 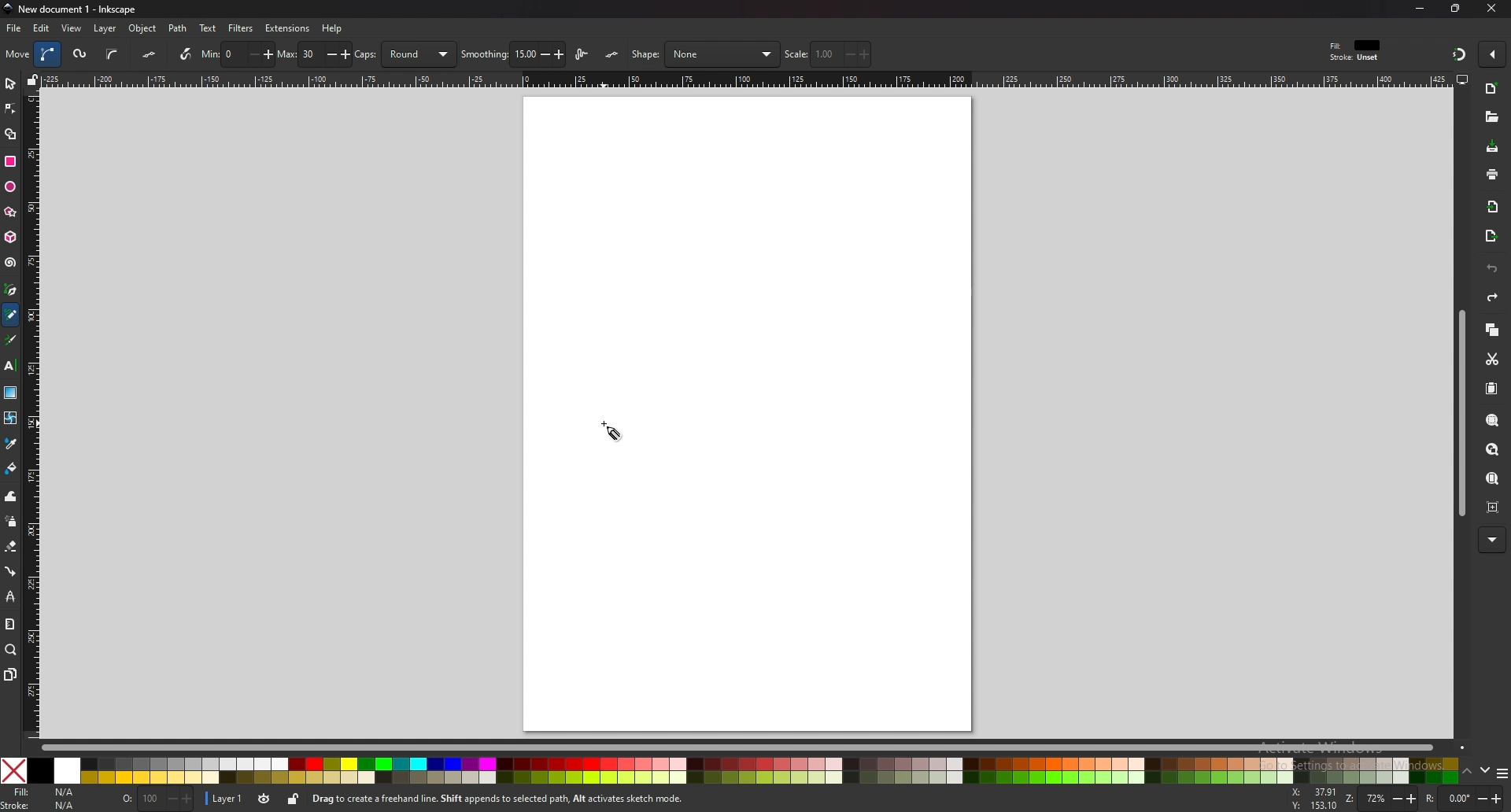 What do you see at coordinates (1467, 772) in the screenshot?
I see `up` at bounding box center [1467, 772].